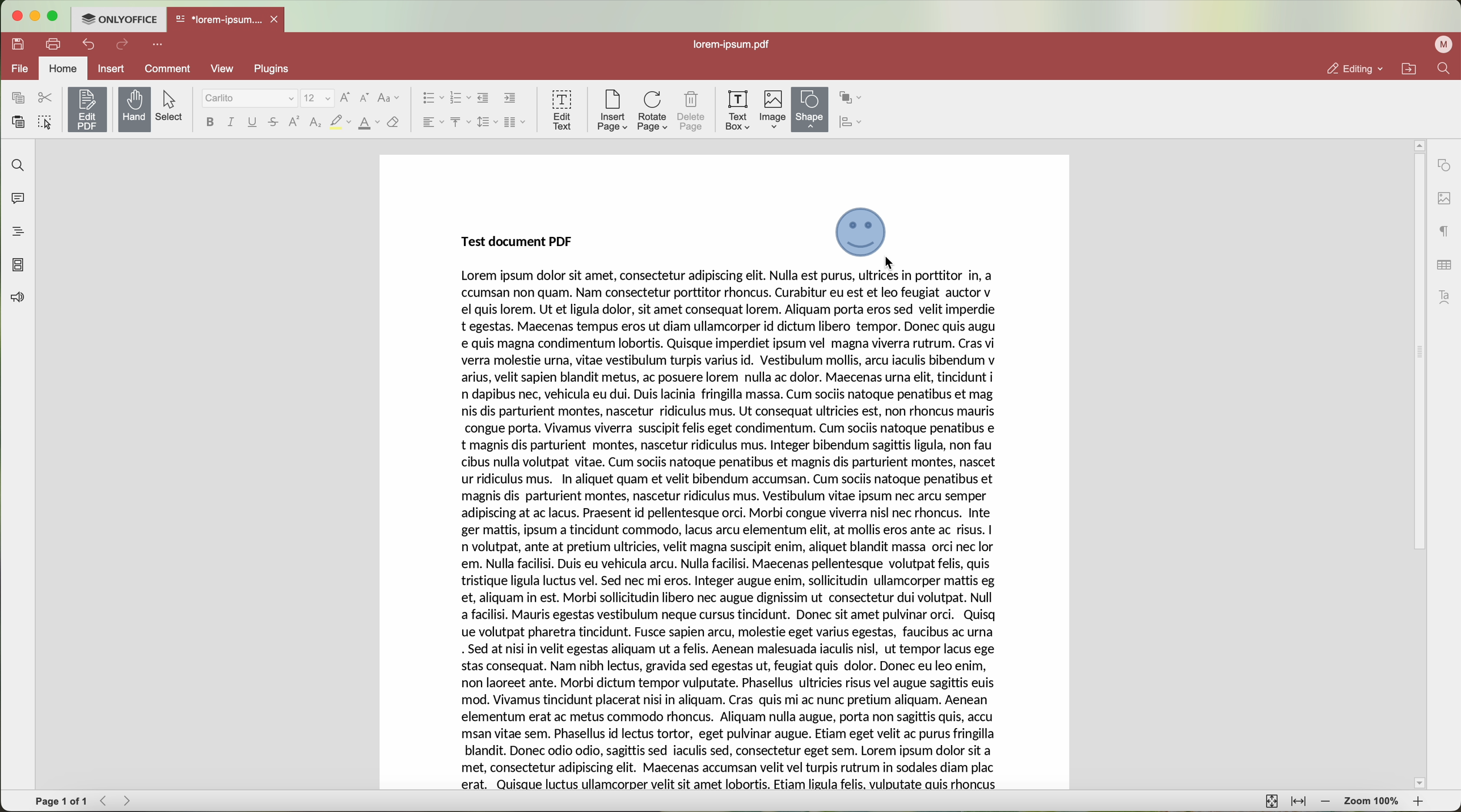  What do you see at coordinates (896, 268) in the screenshot?
I see `CURSOR` at bounding box center [896, 268].